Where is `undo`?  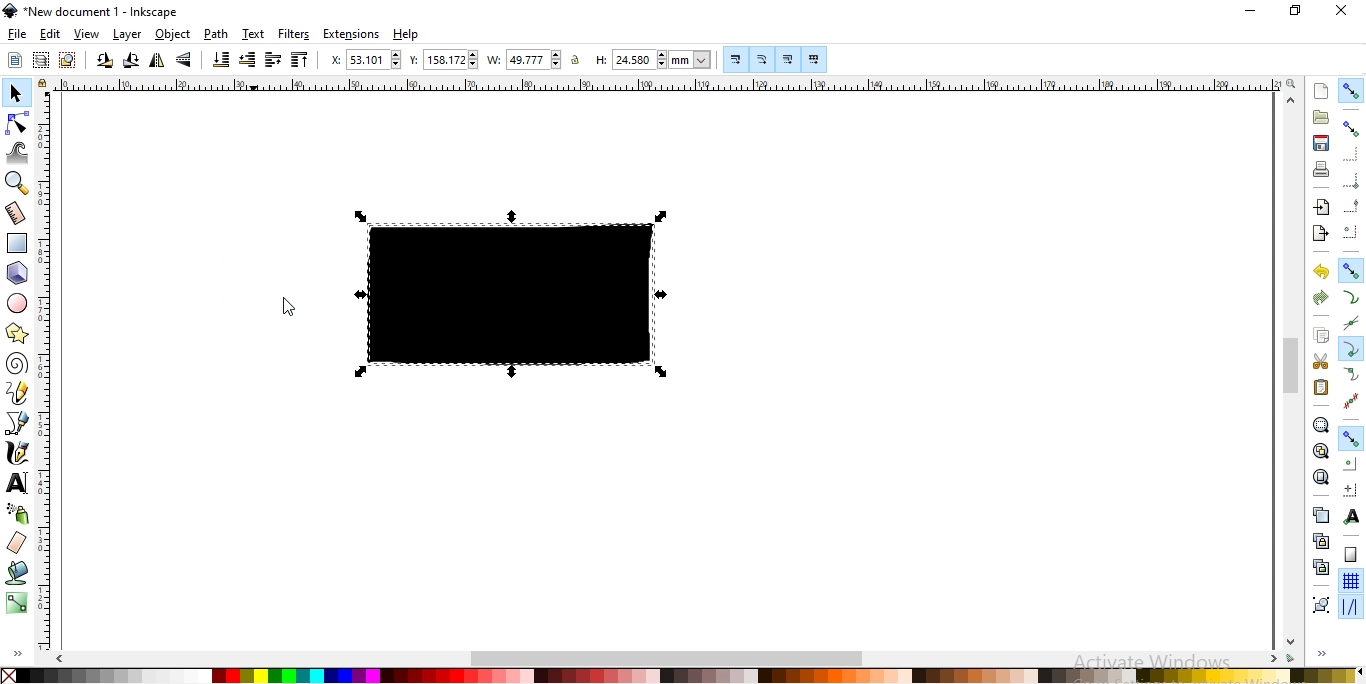 undo is located at coordinates (1320, 272).